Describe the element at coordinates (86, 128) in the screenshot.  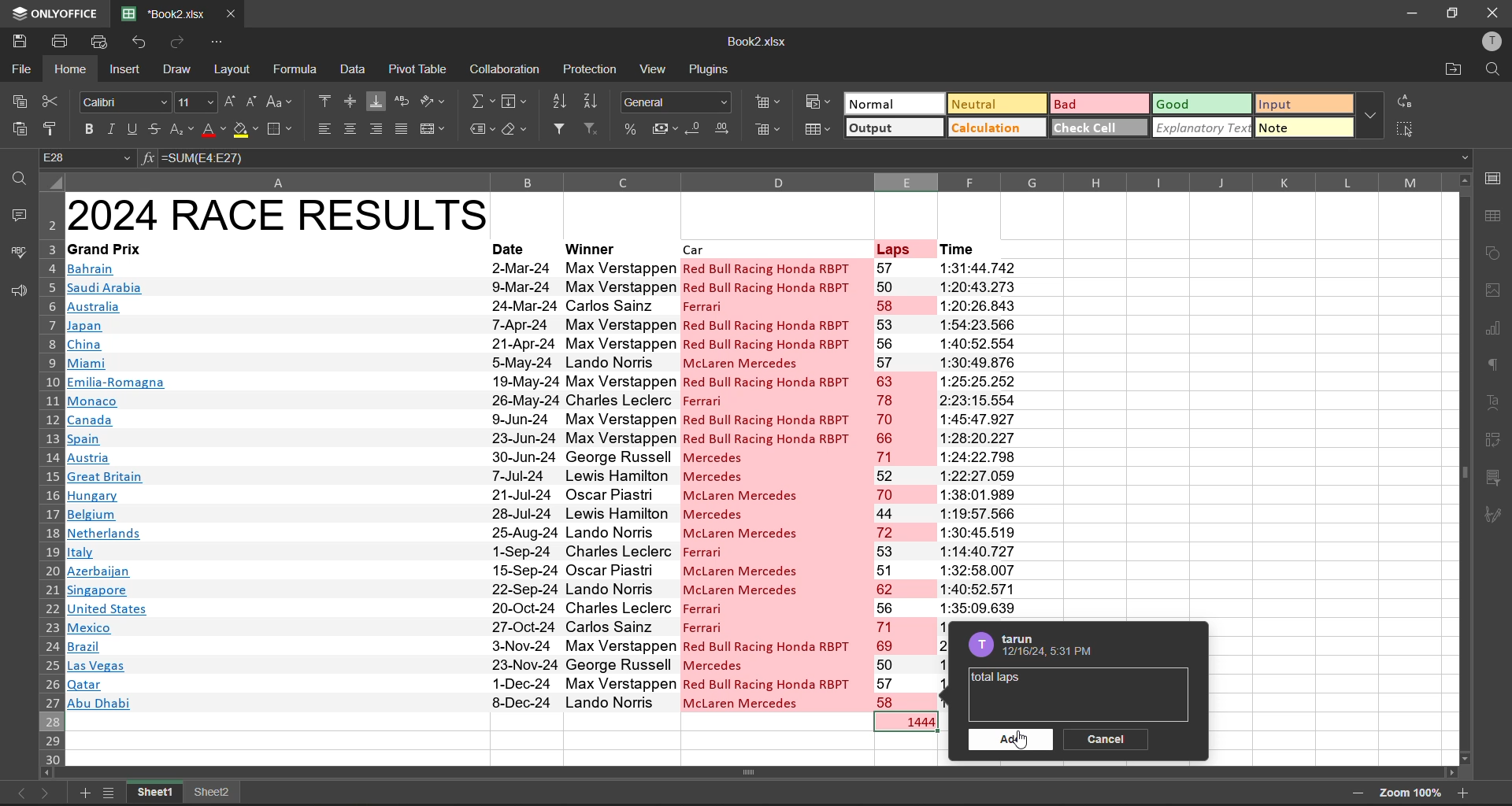
I see `bold` at that location.